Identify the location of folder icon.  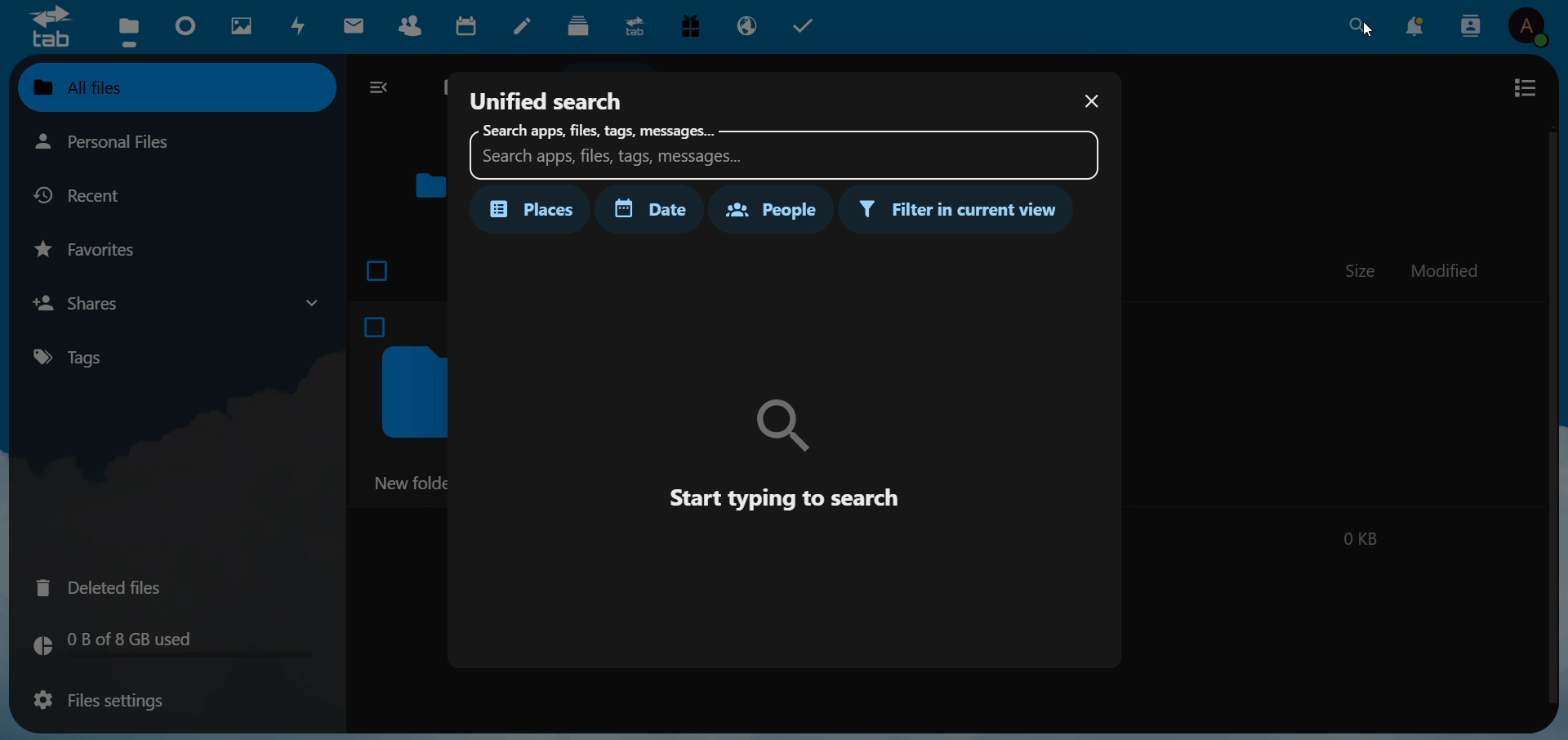
(417, 394).